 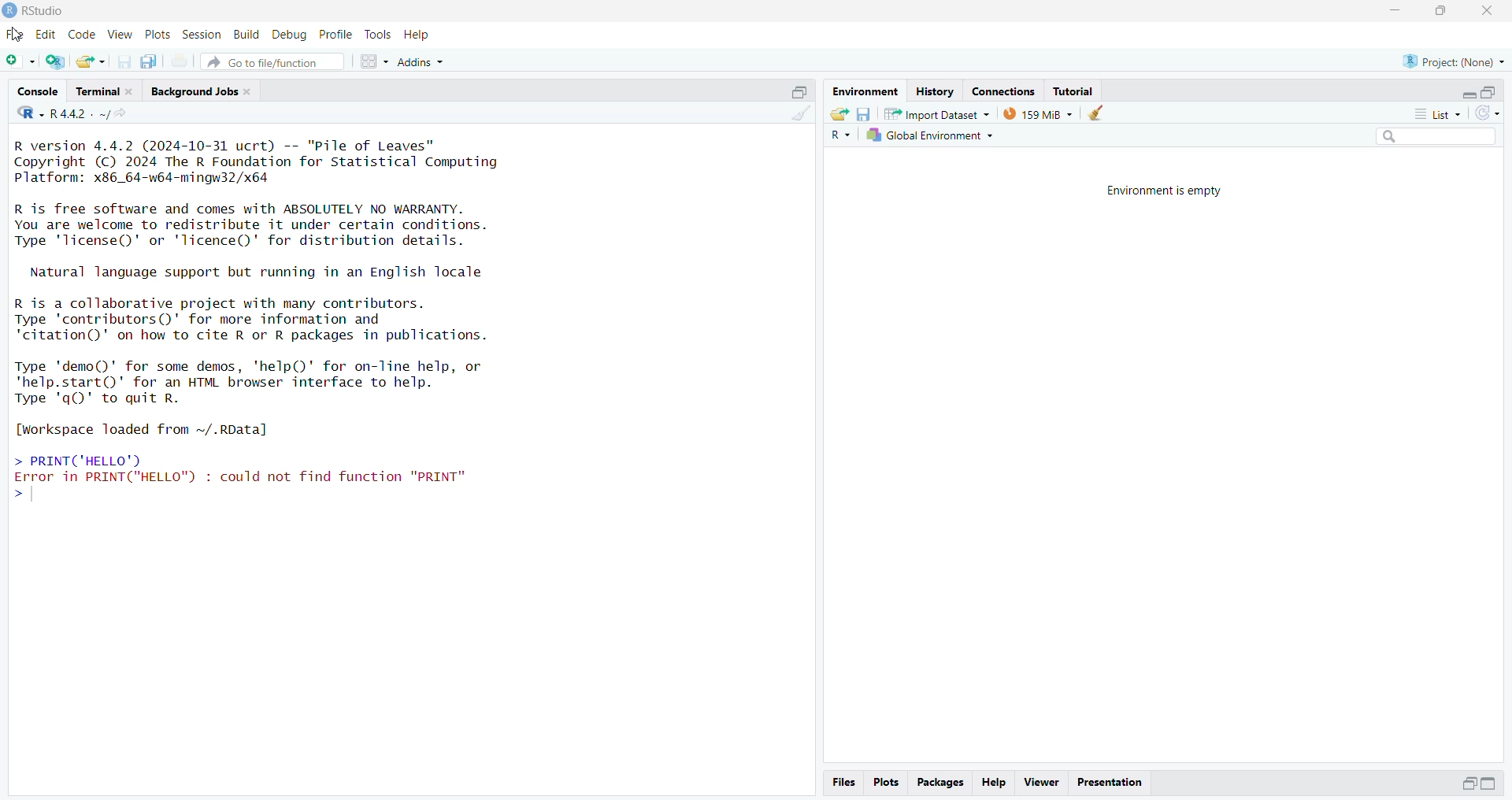 What do you see at coordinates (885, 783) in the screenshot?
I see `plots` at bounding box center [885, 783].